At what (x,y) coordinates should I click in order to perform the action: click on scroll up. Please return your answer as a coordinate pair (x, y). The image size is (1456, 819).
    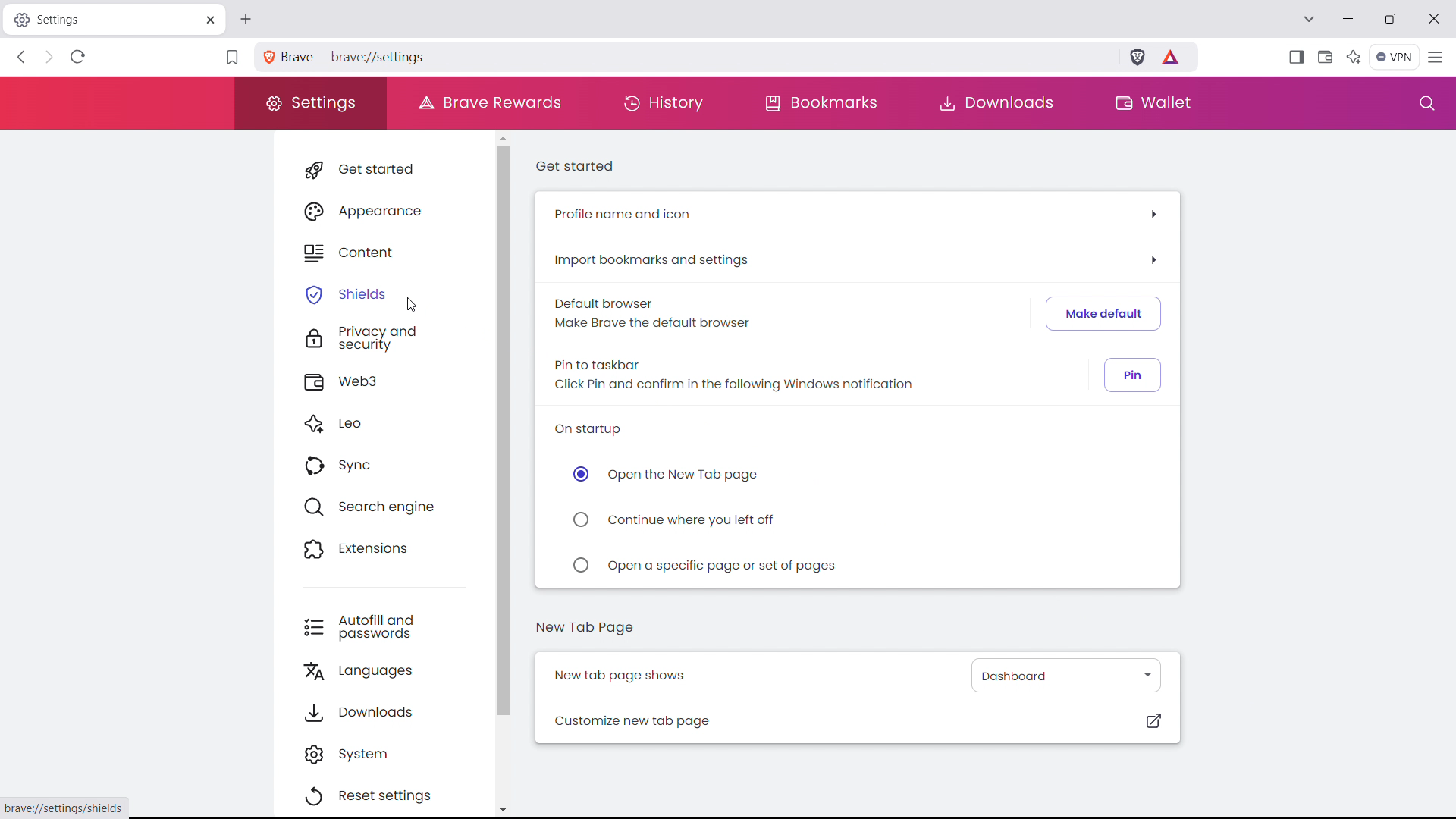
    Looking at the image, I should click on (502, 137).